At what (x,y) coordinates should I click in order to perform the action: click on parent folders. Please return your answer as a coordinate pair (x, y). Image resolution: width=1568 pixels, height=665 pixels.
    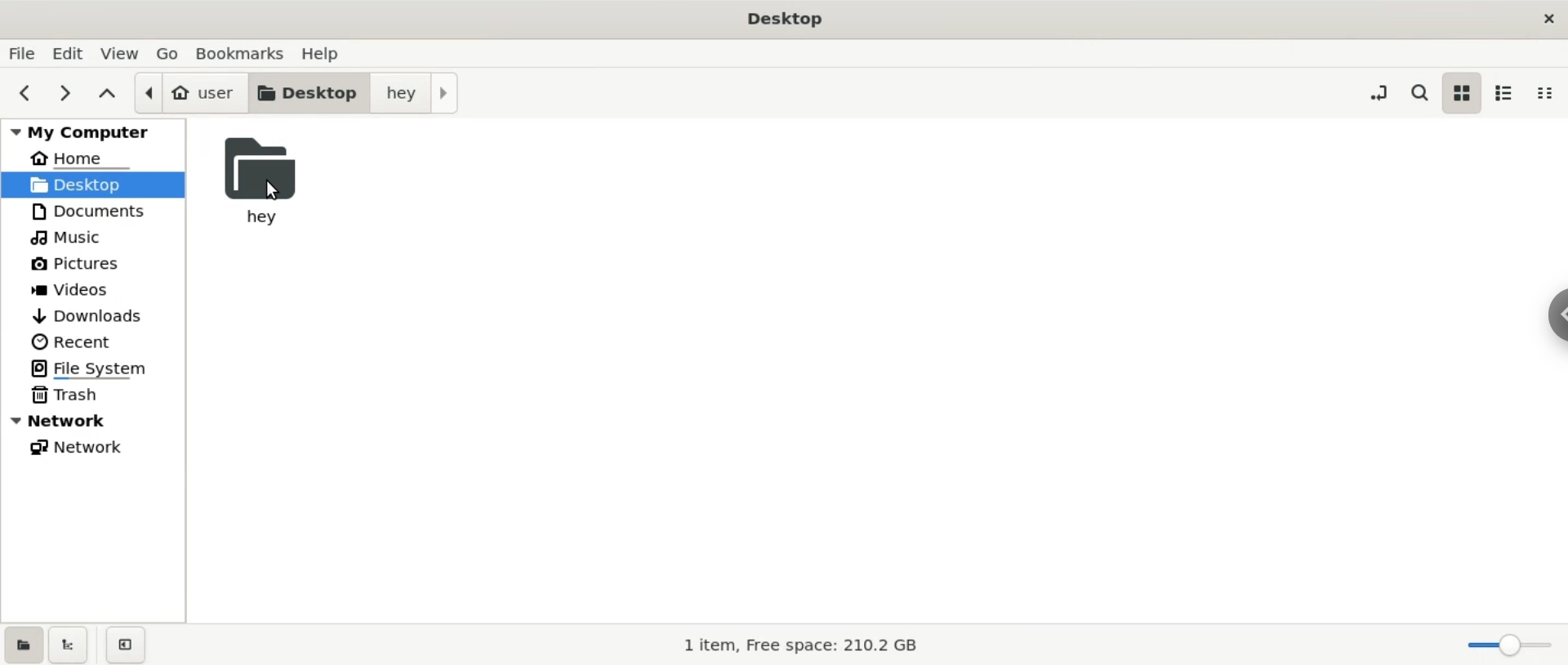
    Looking at the image, I should click on (105, 94).